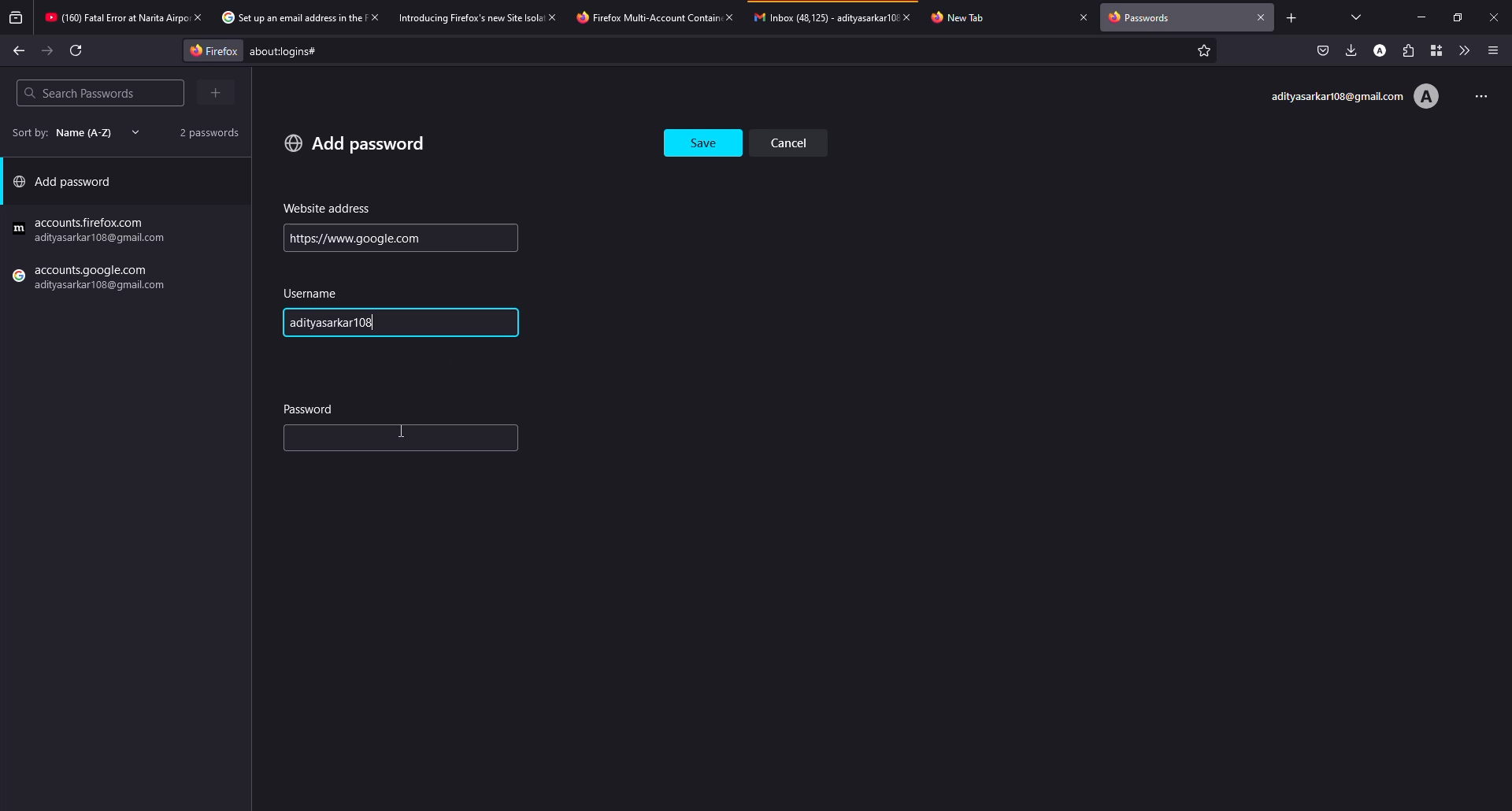 The height and width of the screenshot is (811, 1512). What do you see at coordinates (554, 17) in the screenshot?
I see `close` at bounding box center [554, 17].